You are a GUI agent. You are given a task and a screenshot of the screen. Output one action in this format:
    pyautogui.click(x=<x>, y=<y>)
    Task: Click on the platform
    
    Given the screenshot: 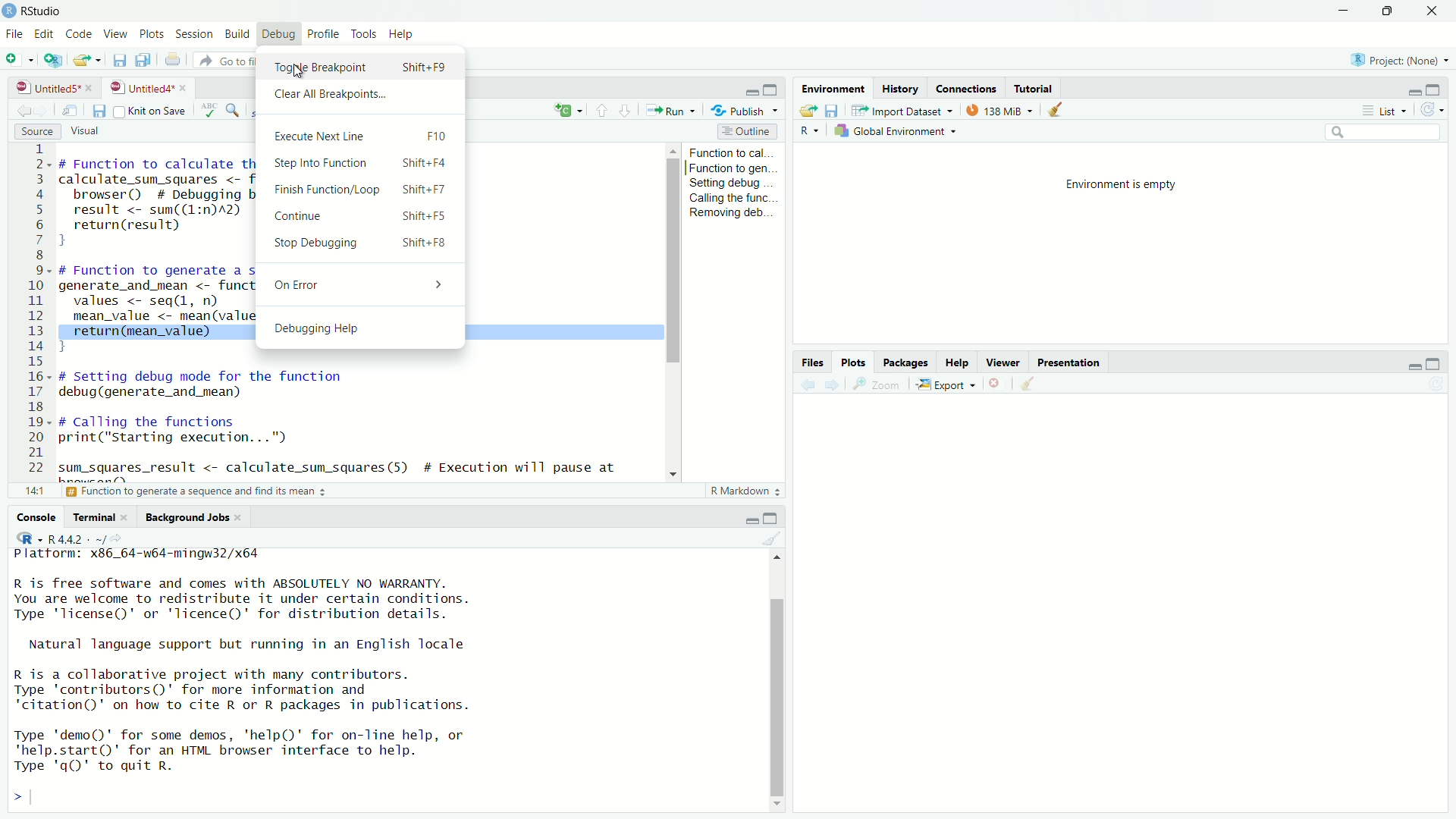 What is the action you would take?
    pyautogui.click(x=136, y=557)
    